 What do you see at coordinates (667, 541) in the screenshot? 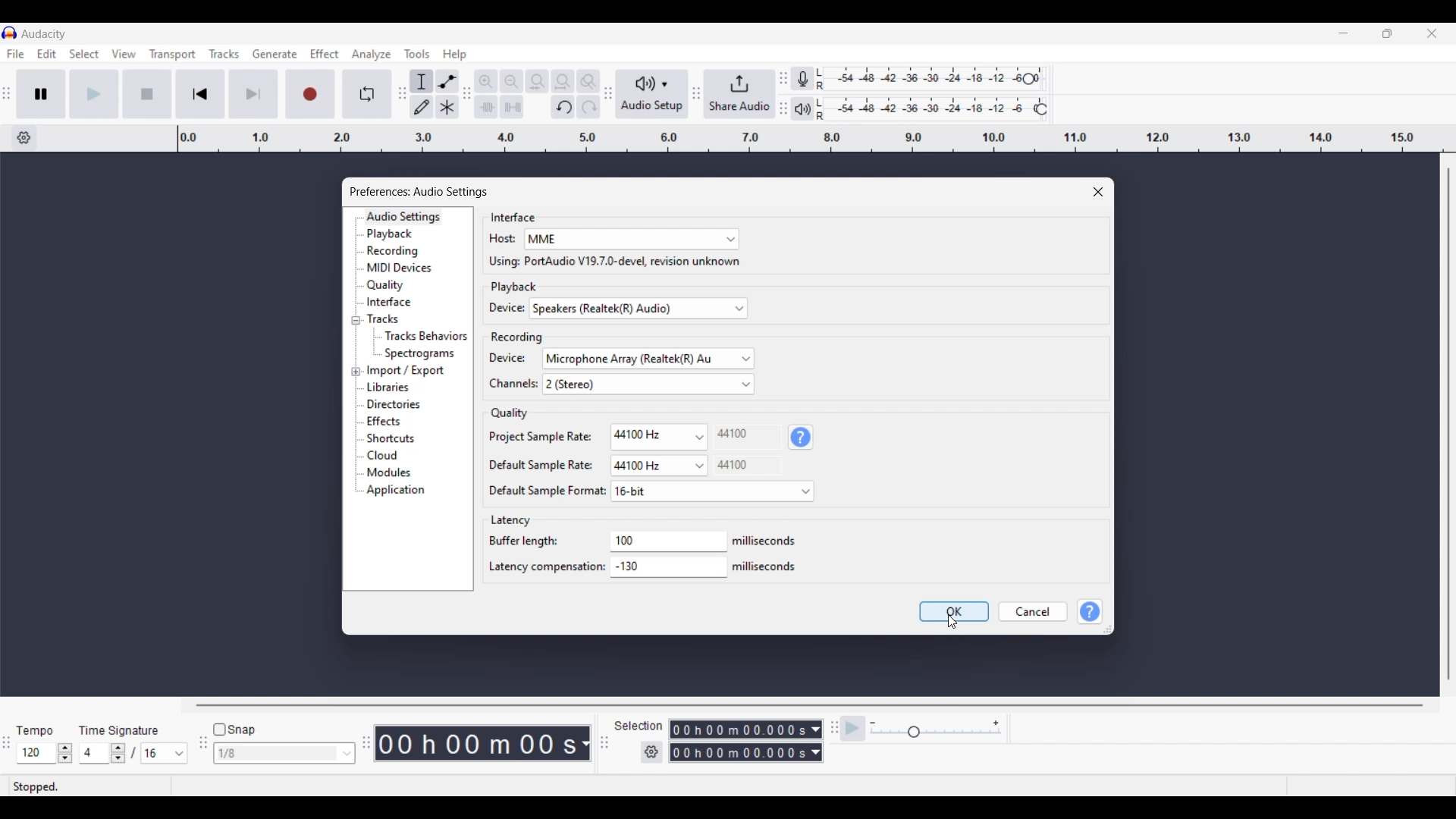
I see `Input box for buffer length` at bounding box center [667, 541].